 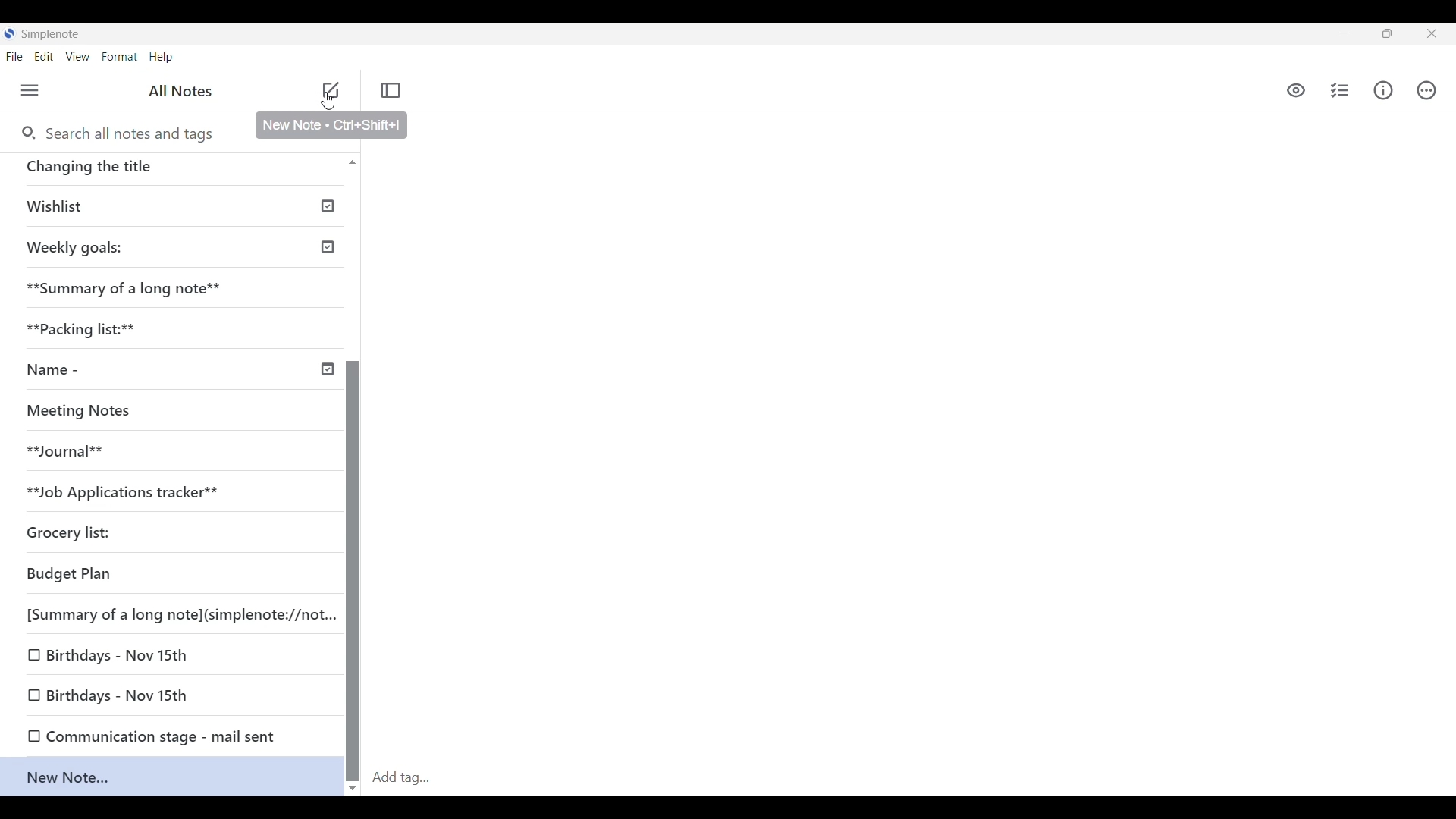 What do you see at coordinates (333, 126) in the screenshot?
I see `Description of selected icon` at bounding box center [333, 126].